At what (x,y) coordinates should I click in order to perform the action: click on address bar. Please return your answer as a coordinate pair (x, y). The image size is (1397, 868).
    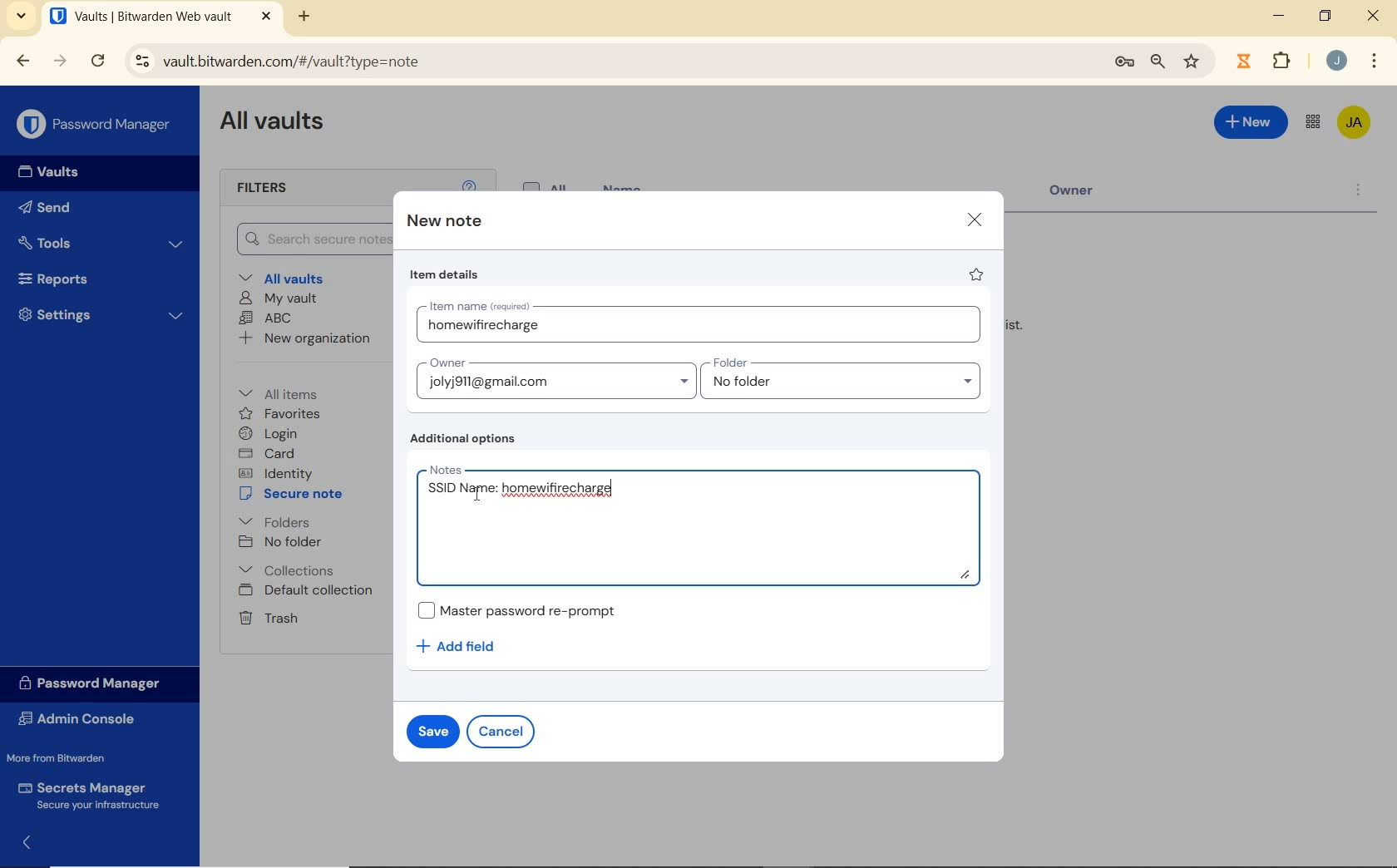
    Looking at the image, I should click on (607, 62).